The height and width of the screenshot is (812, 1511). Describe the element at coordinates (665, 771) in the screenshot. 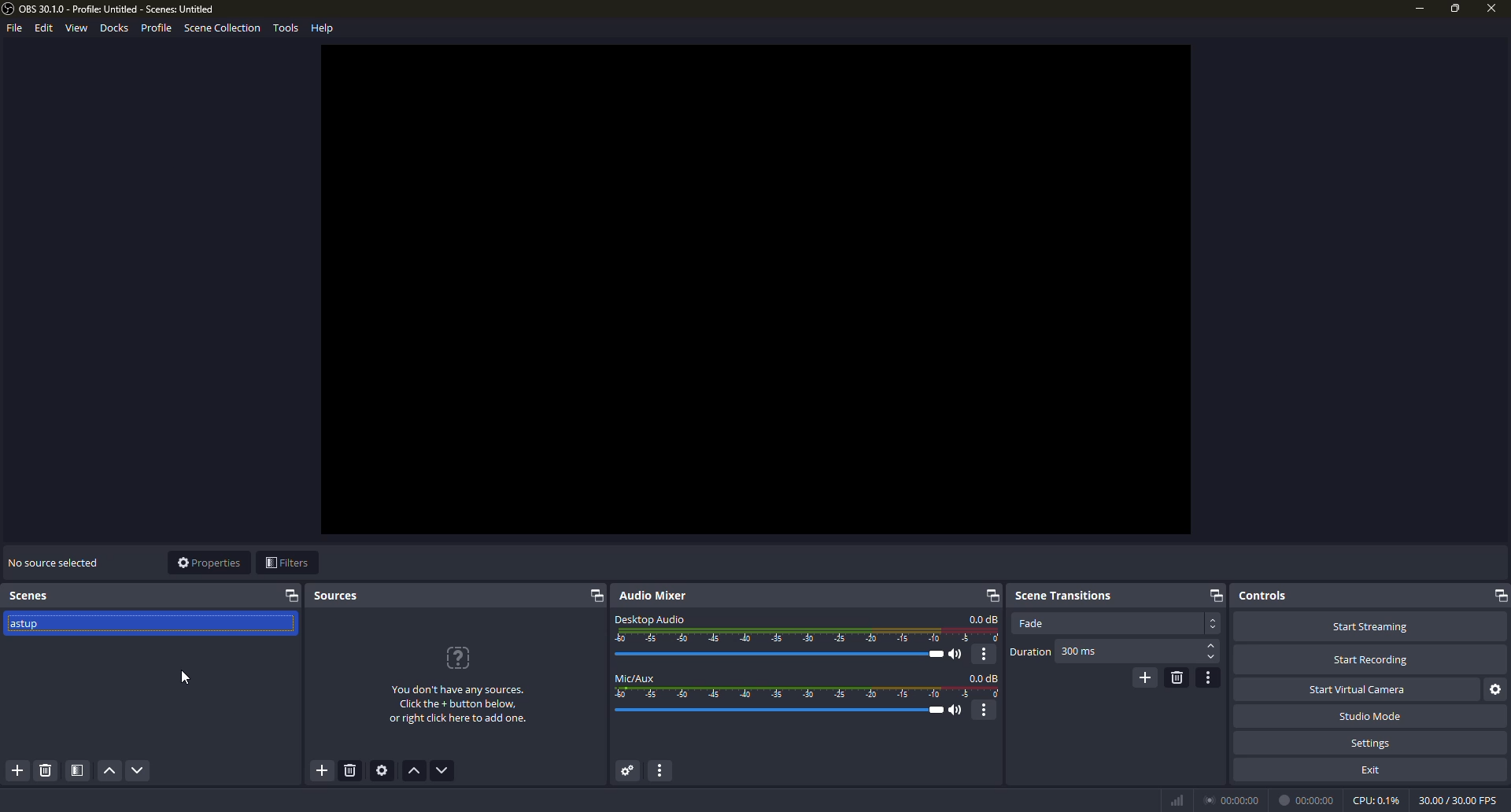

I see `audio mixer menu` at that location.